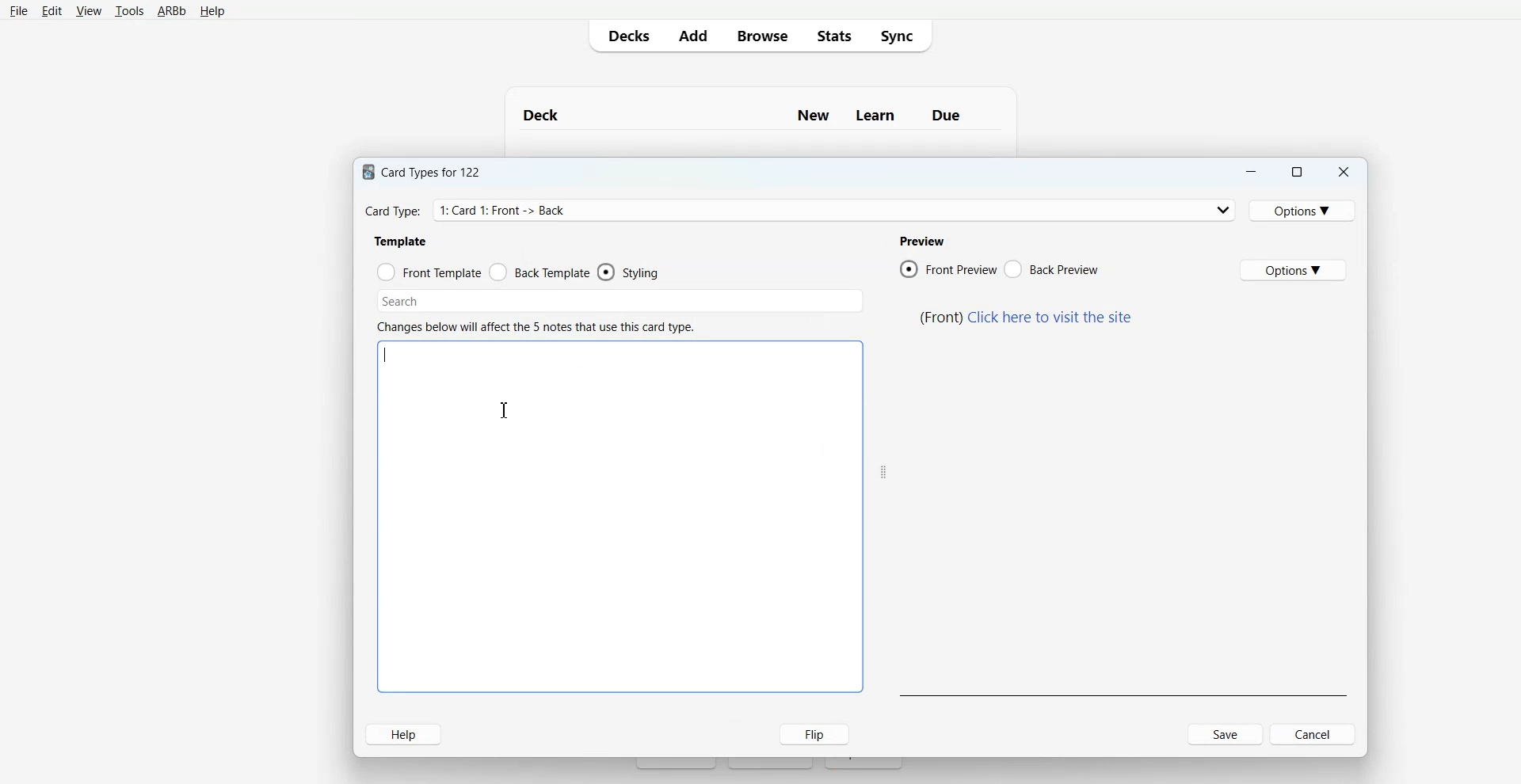 The height and width of the screenshot is (784, 1521). What do you see at coordinates (538, 326) in the screenshot?
I see `text 6` at bounding box center [538, 326].